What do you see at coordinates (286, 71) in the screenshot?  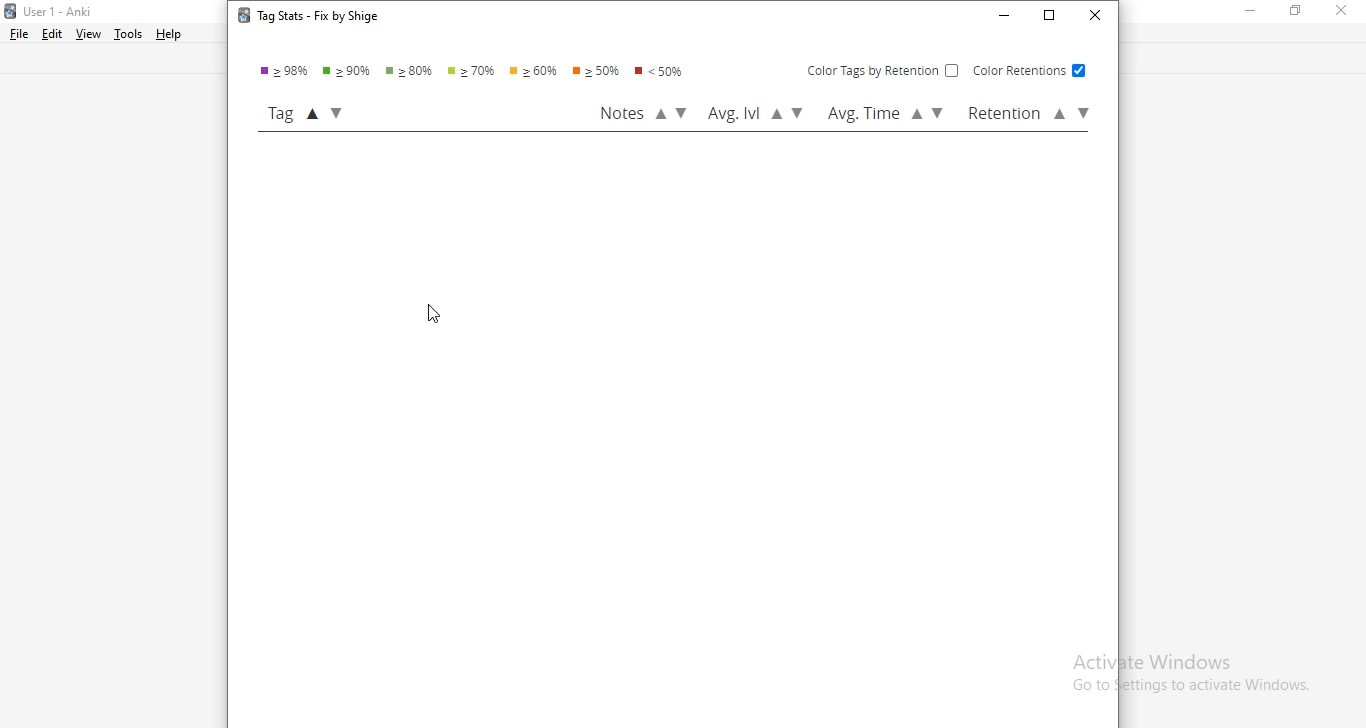 I see `>98%` at bounding box center [286, 71].